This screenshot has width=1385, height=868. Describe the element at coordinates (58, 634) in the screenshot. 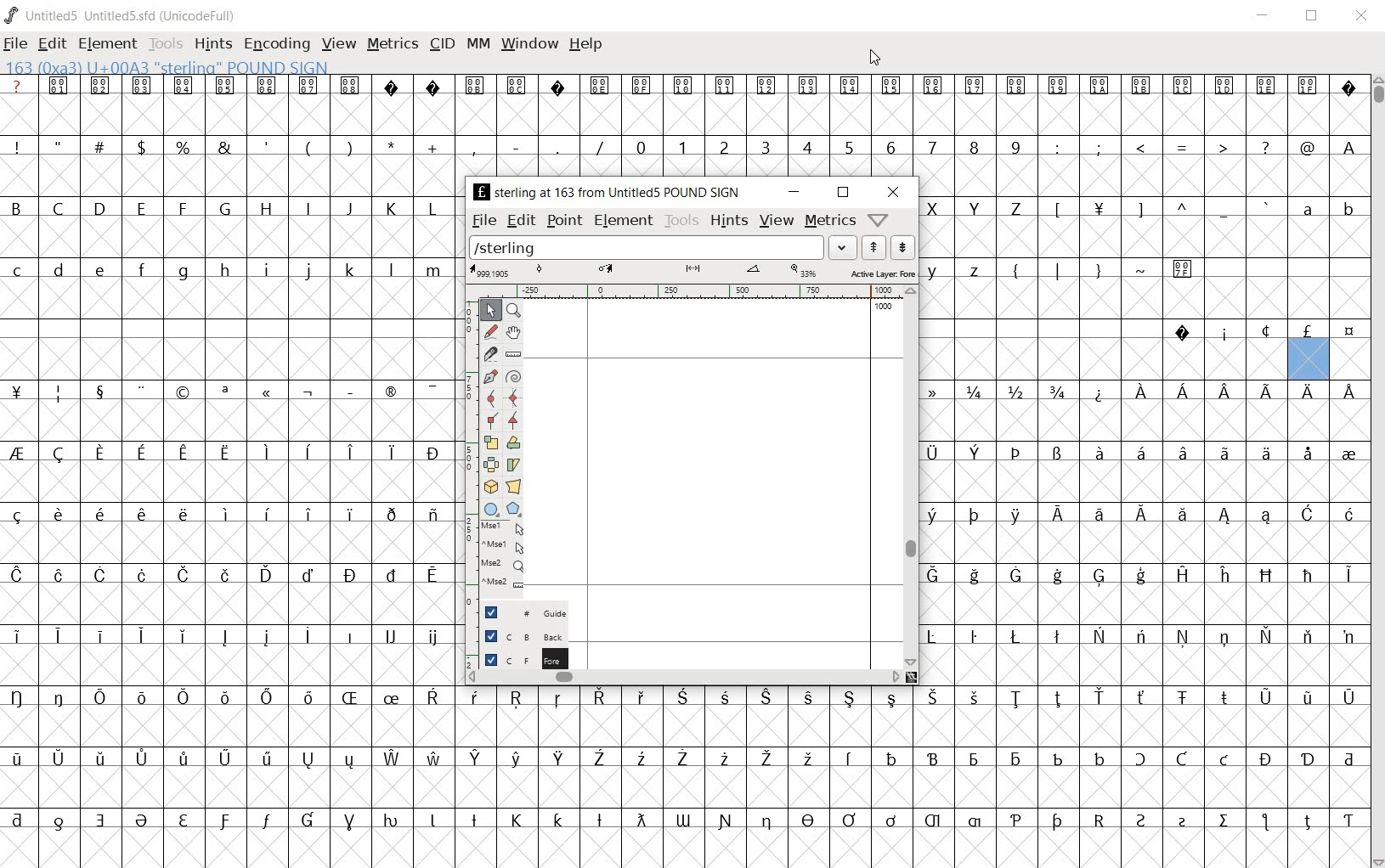

I see `Symbol` at that location.